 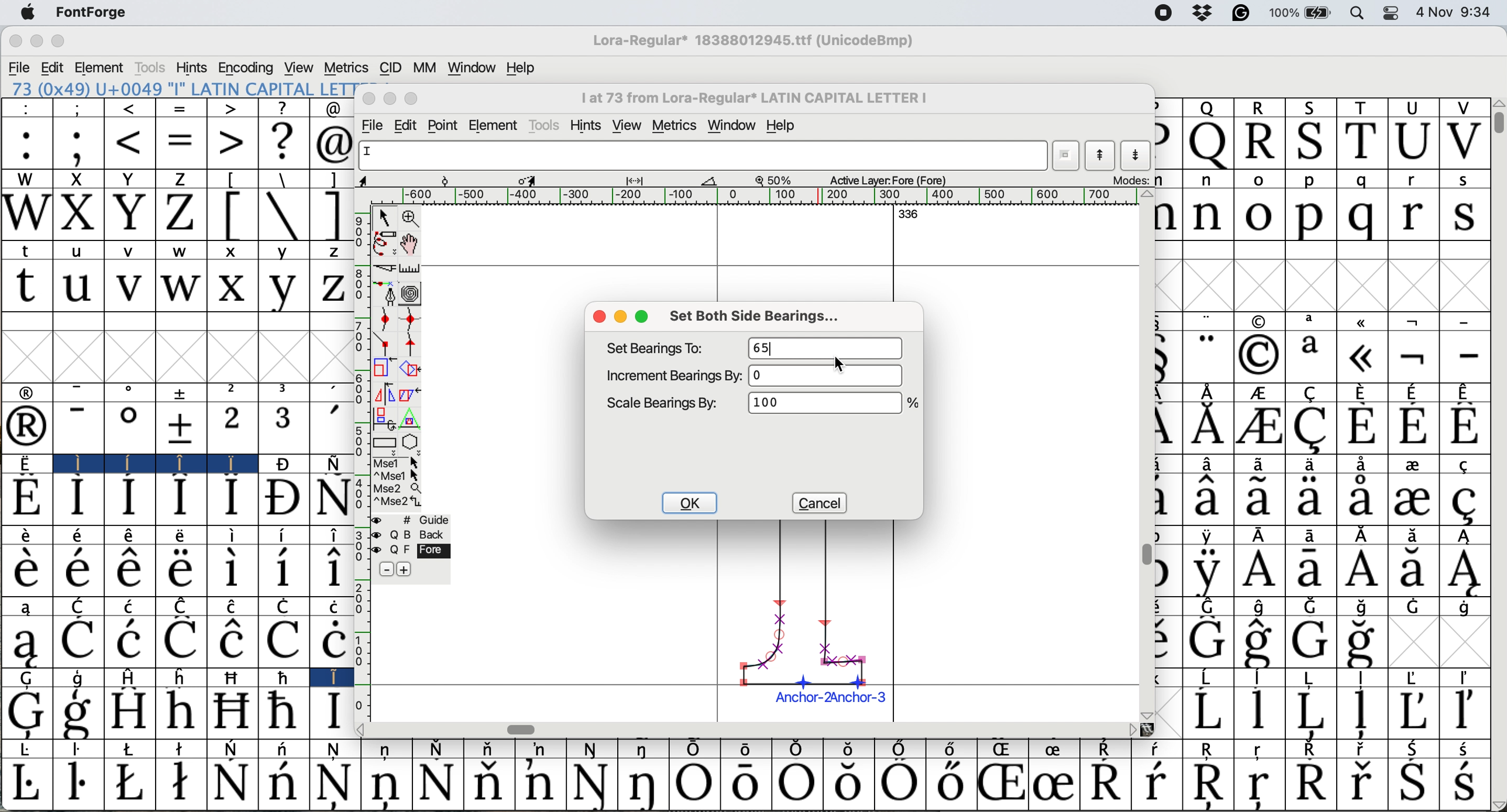 I want to click on ', so click(x=332, y=429).